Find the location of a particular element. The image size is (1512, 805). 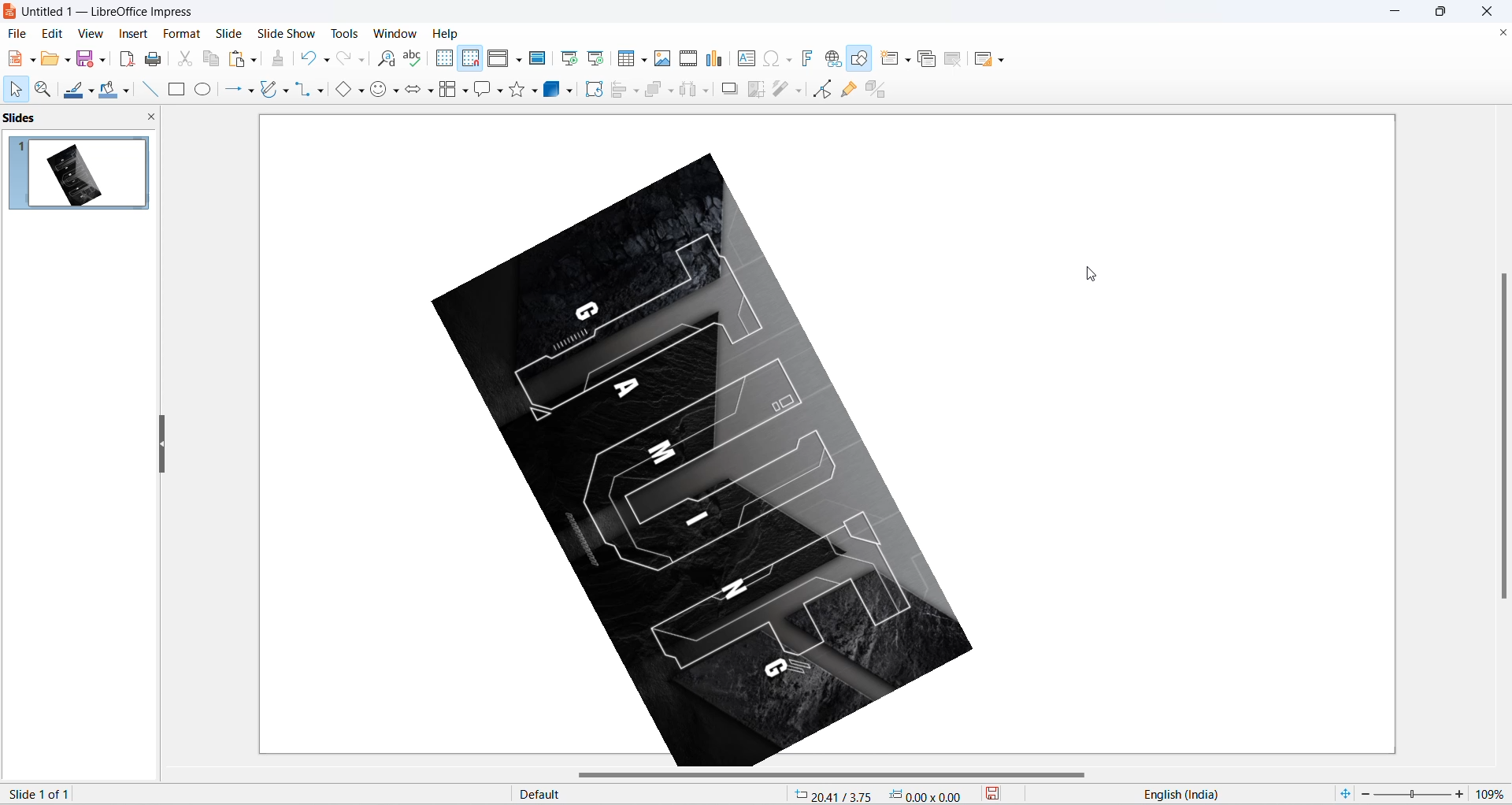

zoom decrease is located at coordinates (1363, 796).